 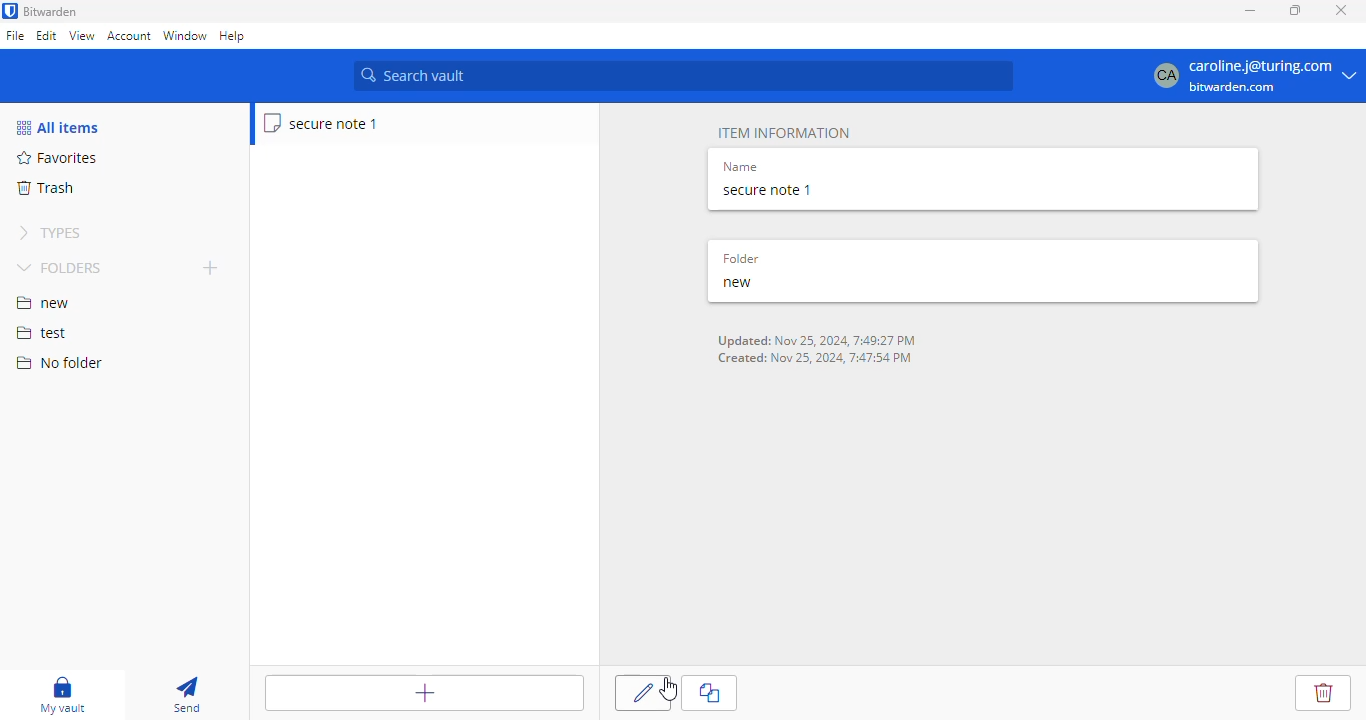 What do you see at coordinates (81, 35) in the screenshot?
I see `view` at bounding box center [81, 35].